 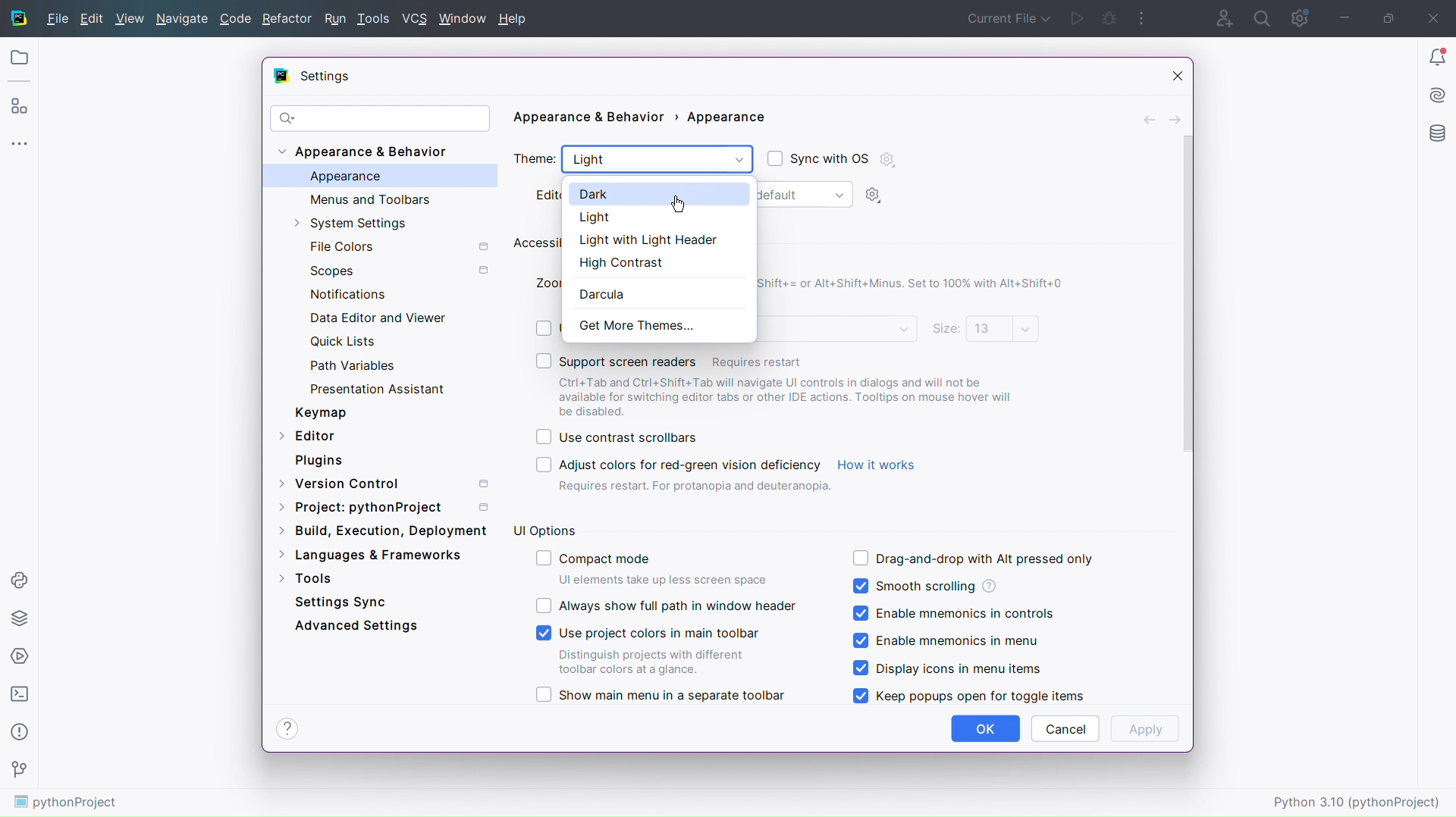 What do you see at coordinates (877, 196) in the screenshot?
I see `light settings` at bounding box center [877, 196].